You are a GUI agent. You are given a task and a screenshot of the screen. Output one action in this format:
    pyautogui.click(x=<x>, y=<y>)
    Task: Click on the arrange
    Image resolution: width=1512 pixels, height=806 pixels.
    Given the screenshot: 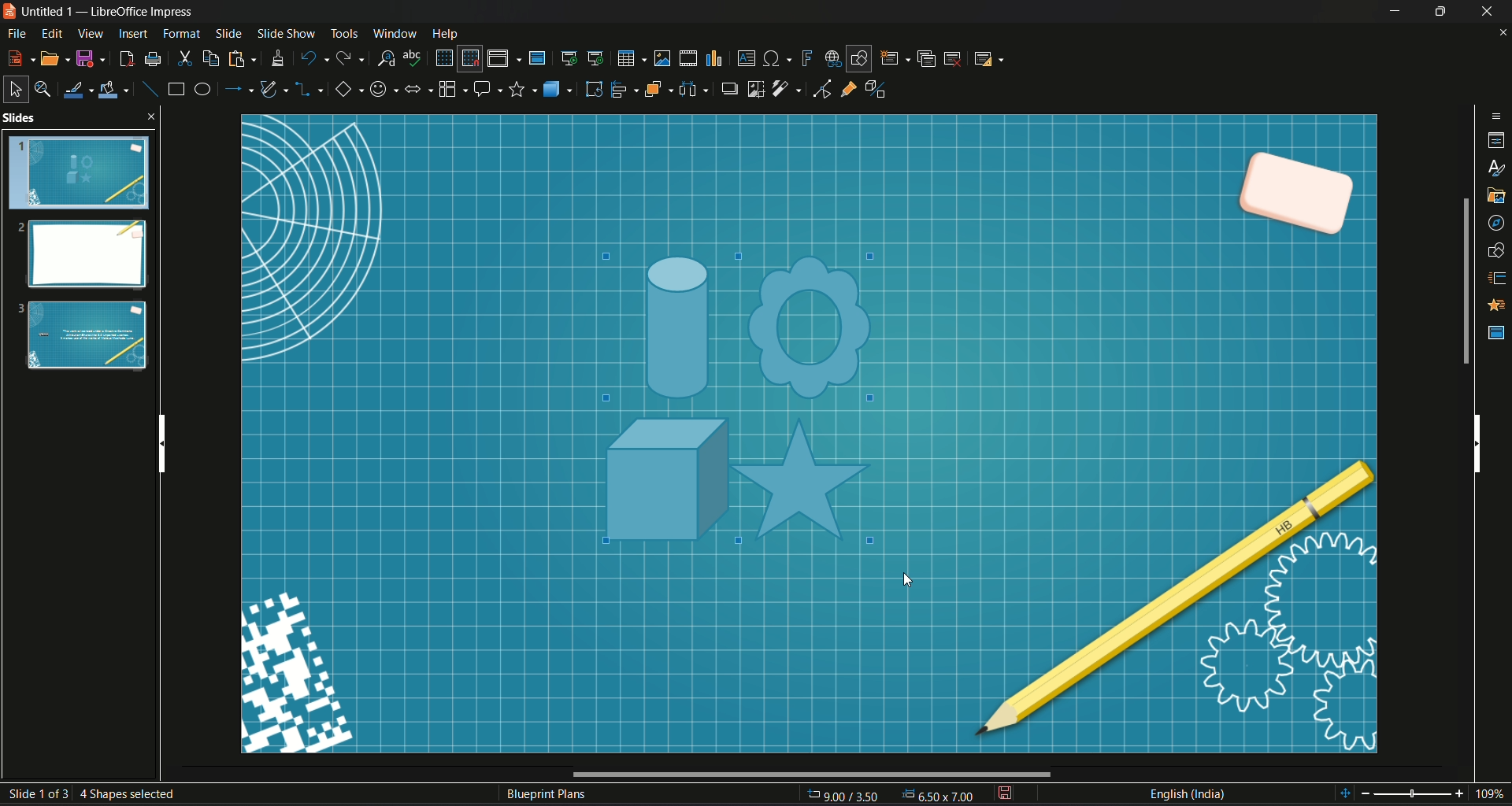 What is the action you would take?
    pyautogui.click(x=658, y=90)
    